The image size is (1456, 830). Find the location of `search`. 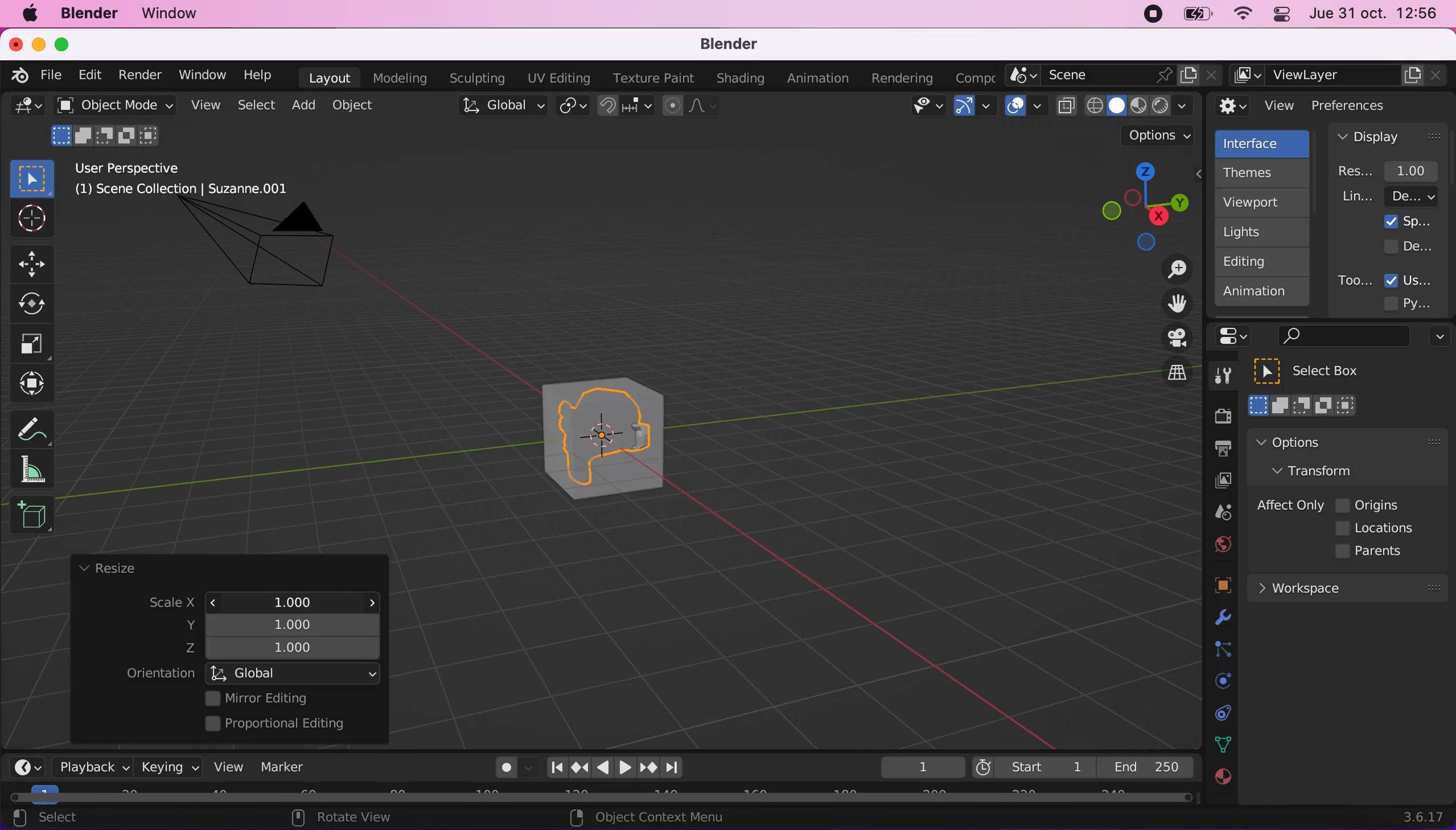

search is located at coordinates (1341, 337).